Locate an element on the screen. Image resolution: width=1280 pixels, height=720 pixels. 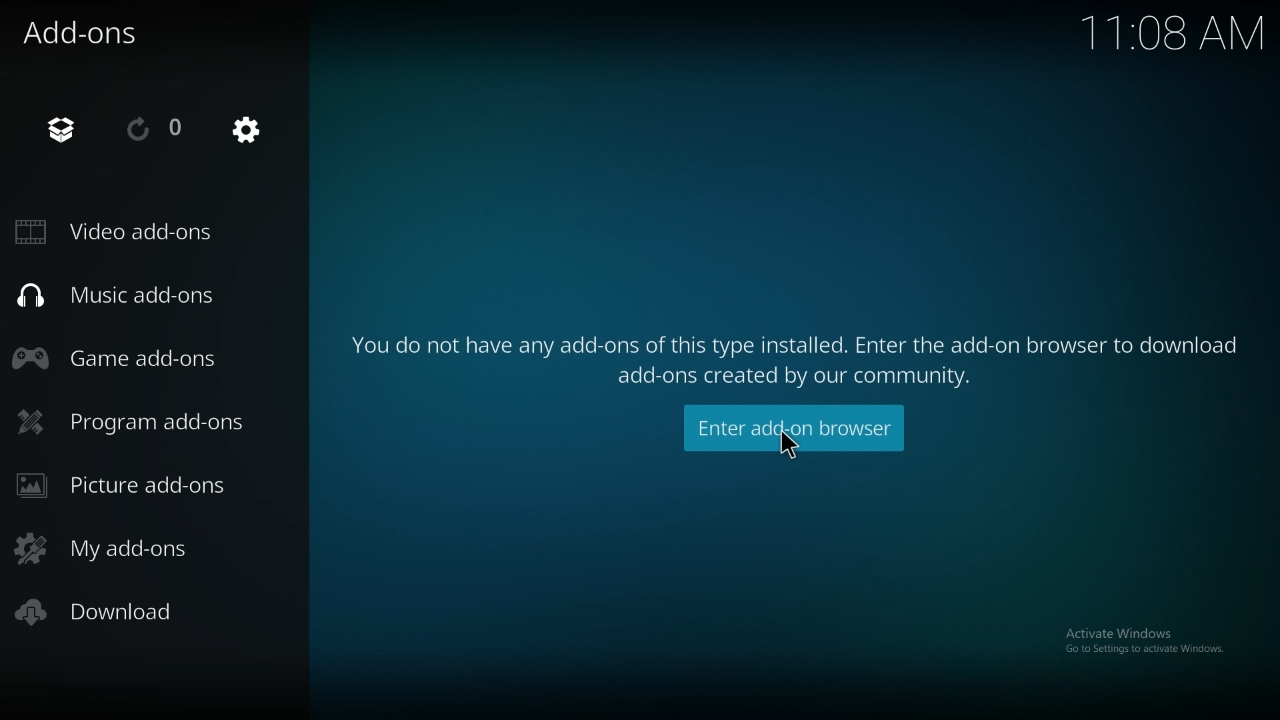
installed is located at coordinates (63, 130).